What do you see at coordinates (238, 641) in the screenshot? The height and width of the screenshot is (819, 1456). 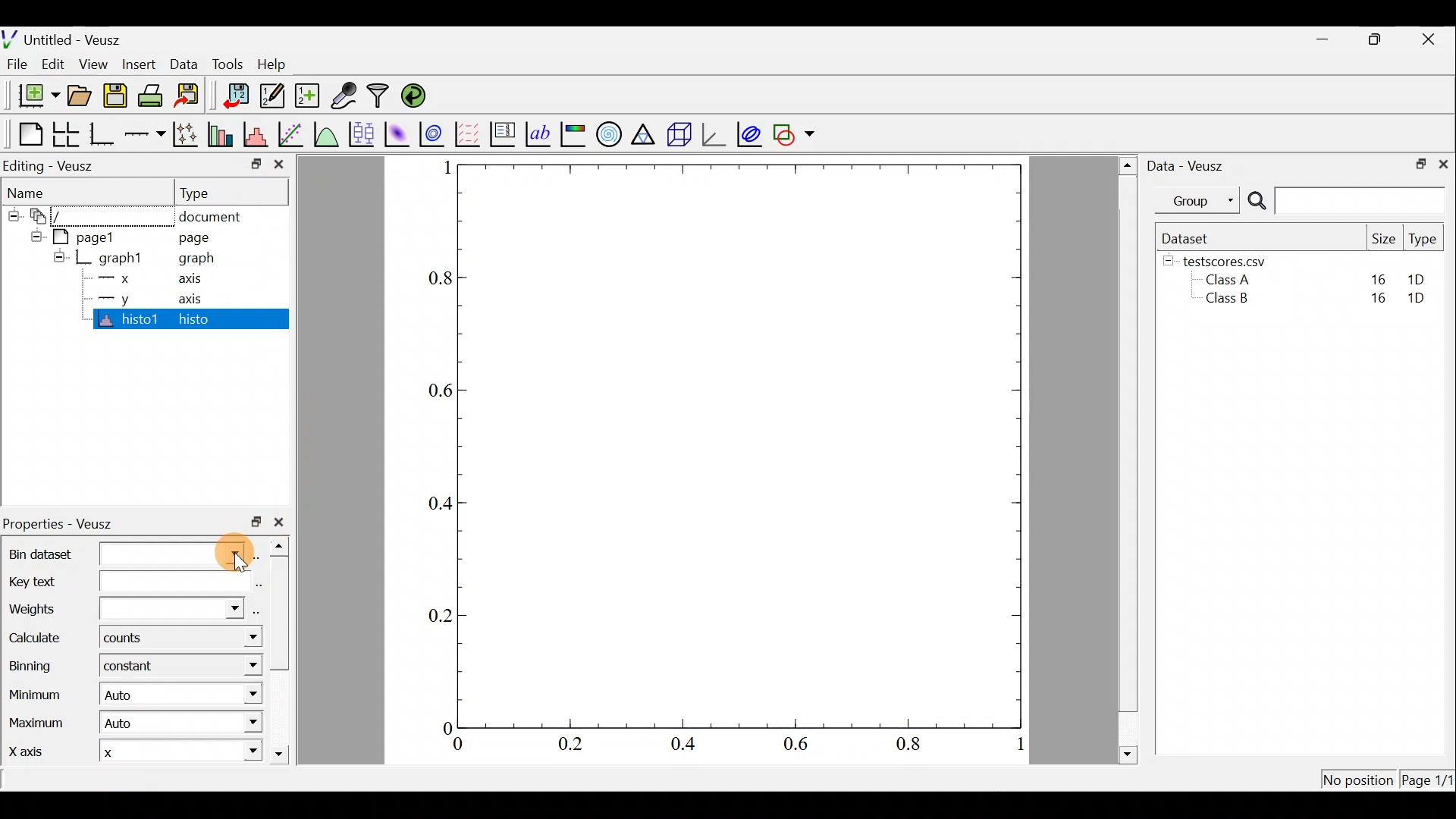 I see `Calculate` at bounding box center [238, 641].